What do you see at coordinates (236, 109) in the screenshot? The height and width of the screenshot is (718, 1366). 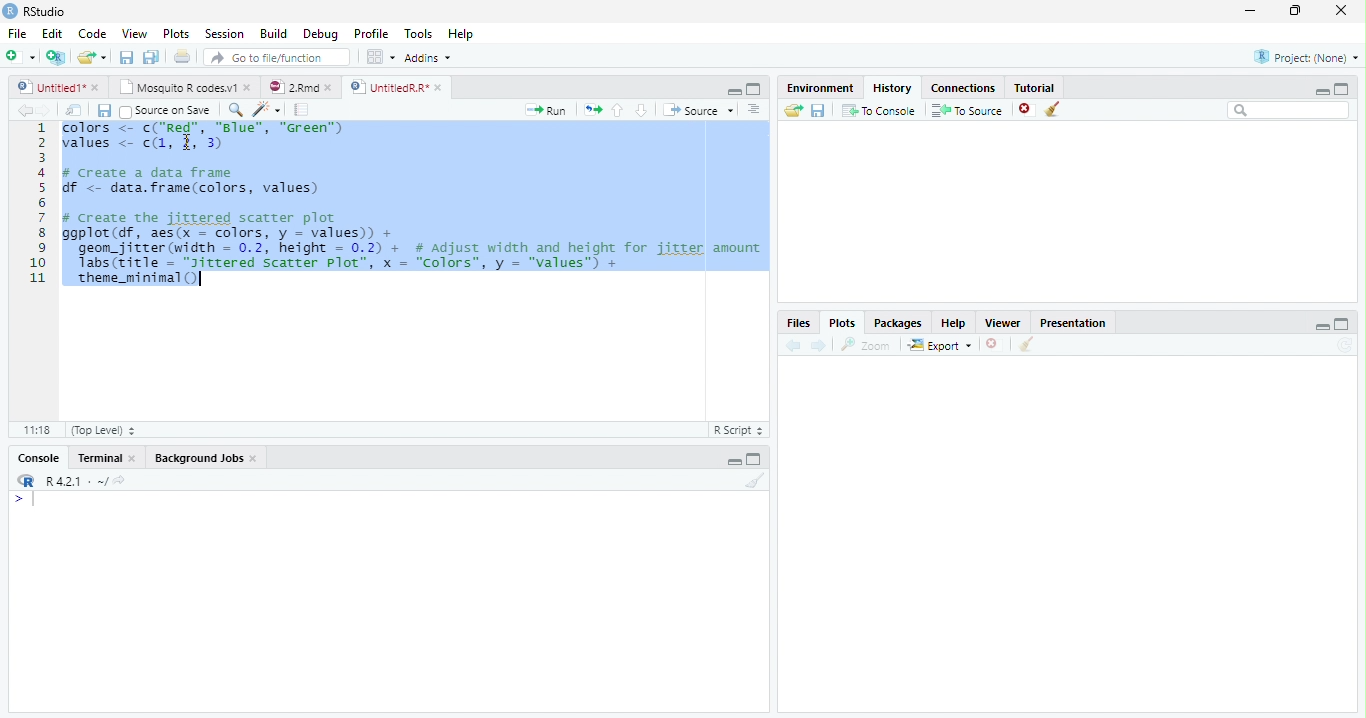 I see `Find/Replace` at bounding box center [236, 109].